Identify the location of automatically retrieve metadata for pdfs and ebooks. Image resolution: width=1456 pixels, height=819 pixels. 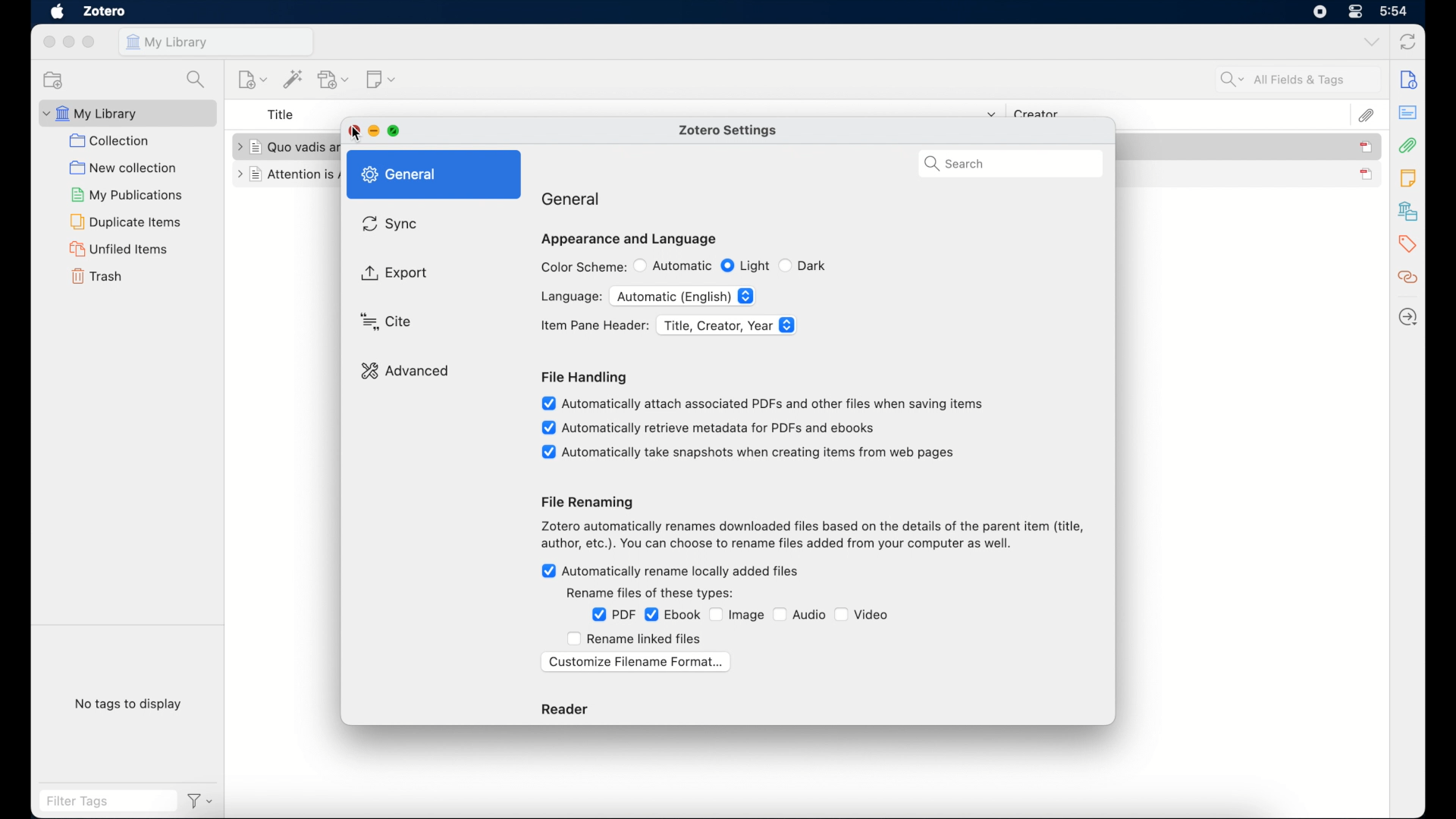
(711, 428).